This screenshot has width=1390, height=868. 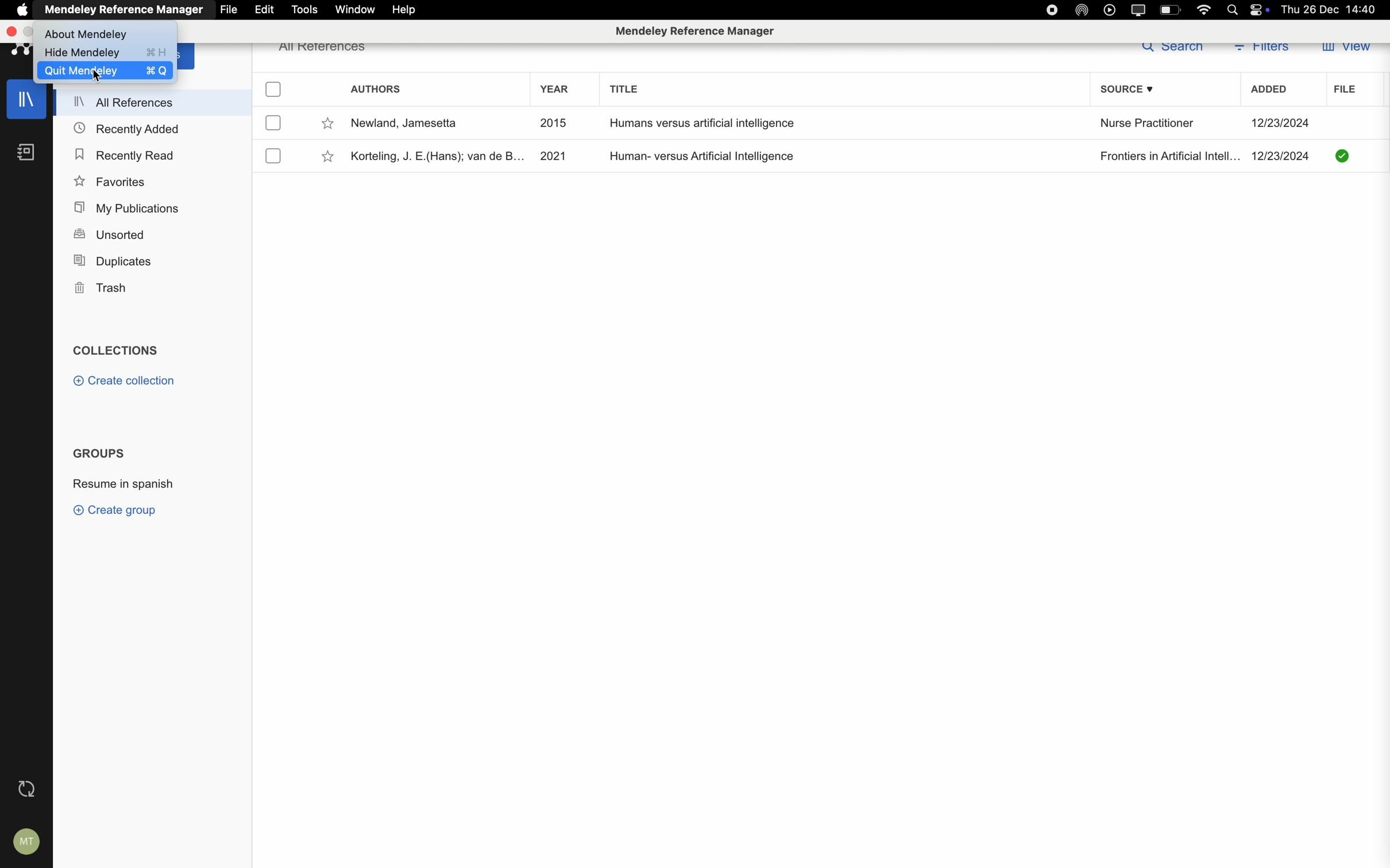 I want to click on about Mendeley, so click(x=88, y=32).